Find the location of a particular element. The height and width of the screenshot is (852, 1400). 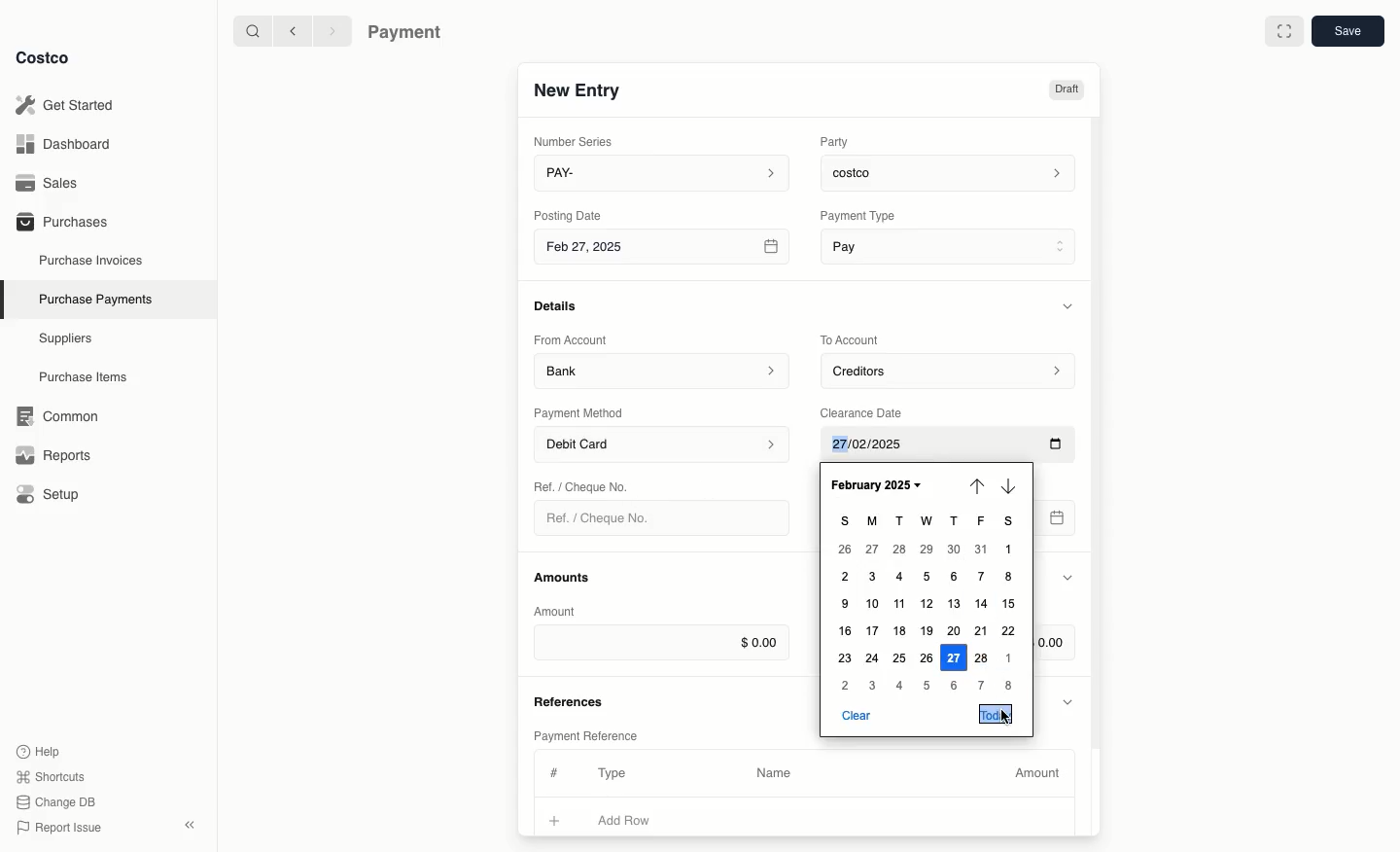

Bank is located at coordinates (662, 370).